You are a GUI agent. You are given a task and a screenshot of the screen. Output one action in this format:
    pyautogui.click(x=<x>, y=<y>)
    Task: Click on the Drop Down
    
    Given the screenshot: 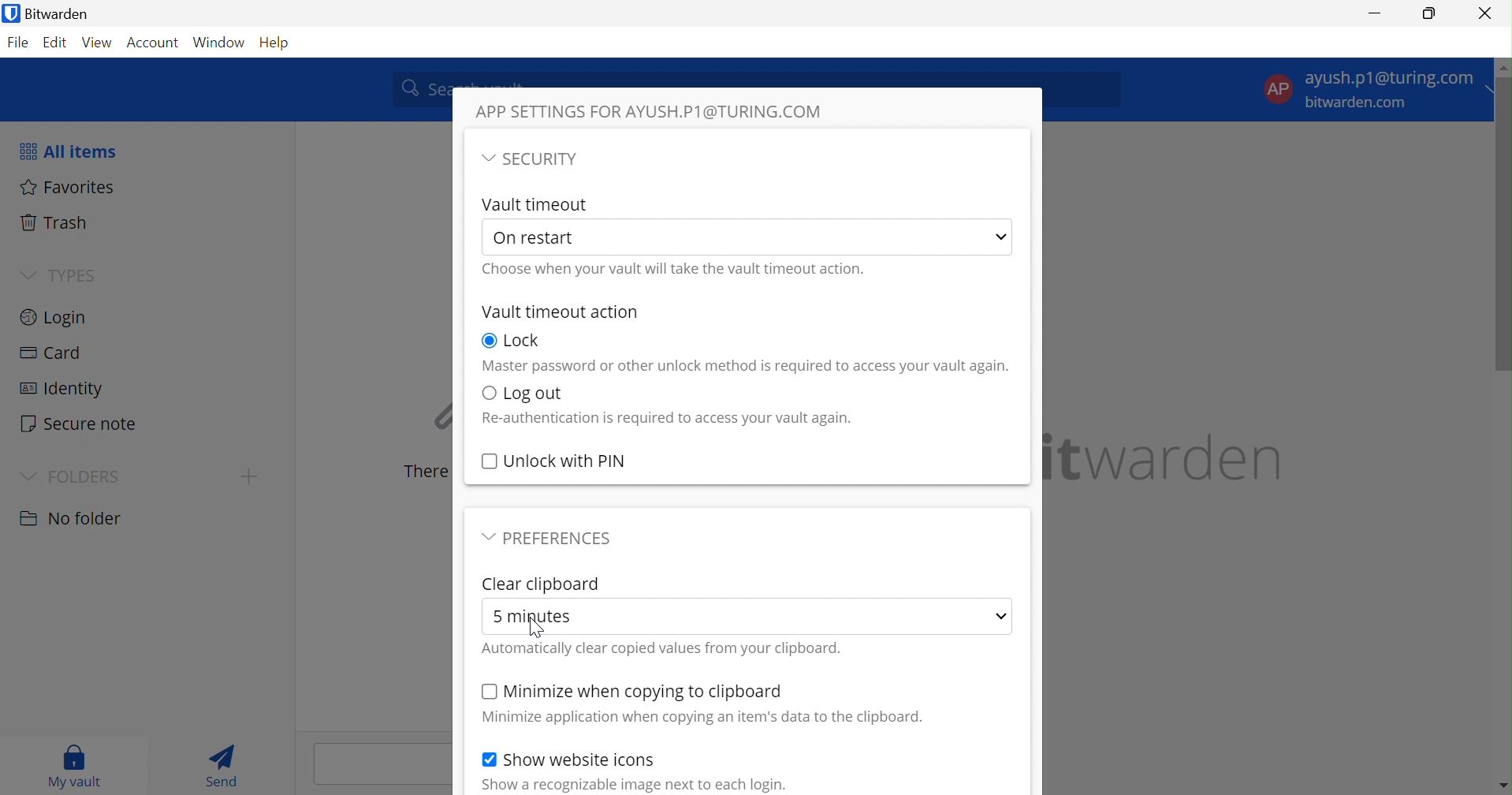 What is the action you would take?
    pyautogui.click(x=487, y=536)
    